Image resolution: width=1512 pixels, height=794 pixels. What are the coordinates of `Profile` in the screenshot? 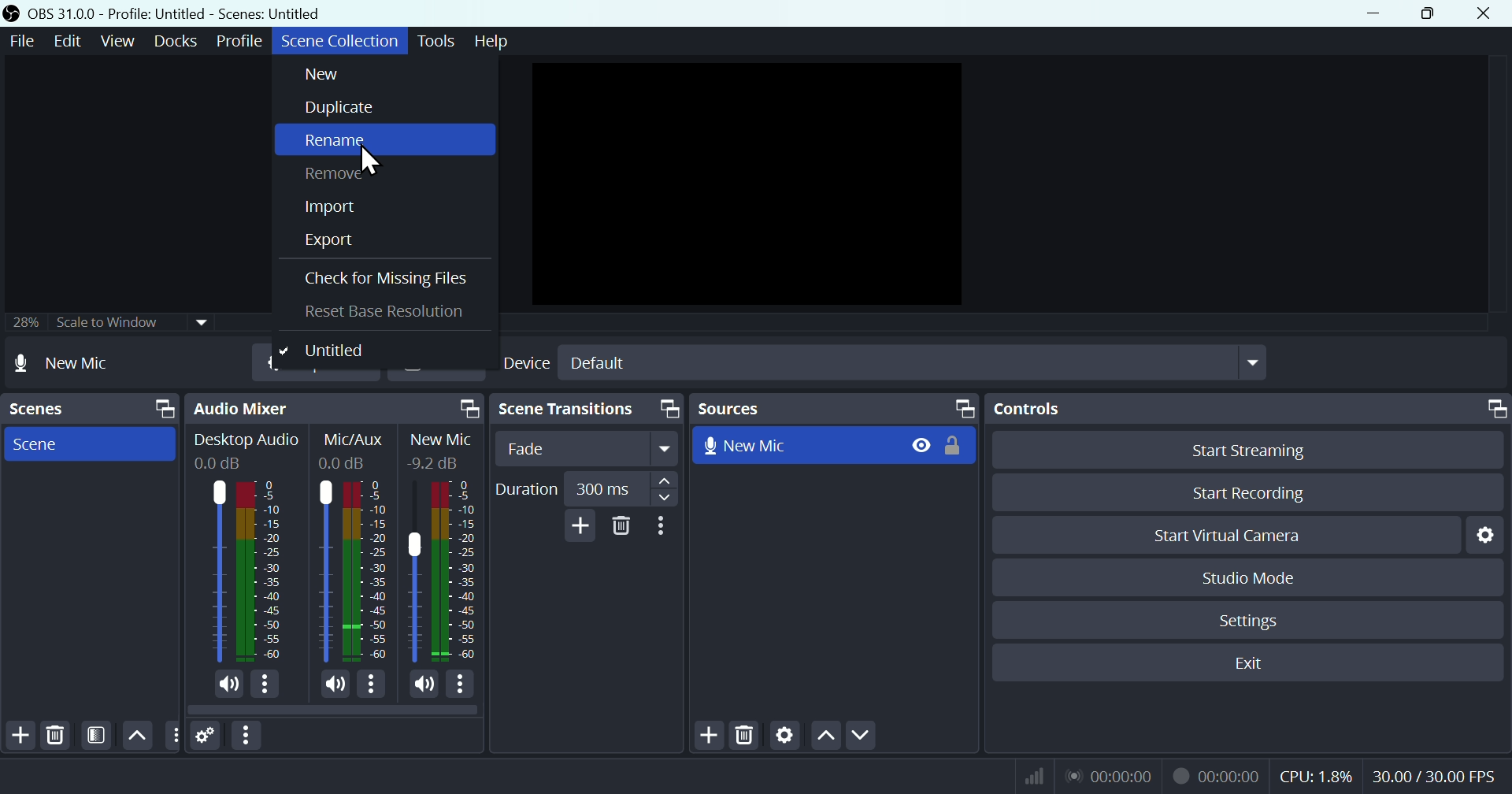 It's located at (236, 43).